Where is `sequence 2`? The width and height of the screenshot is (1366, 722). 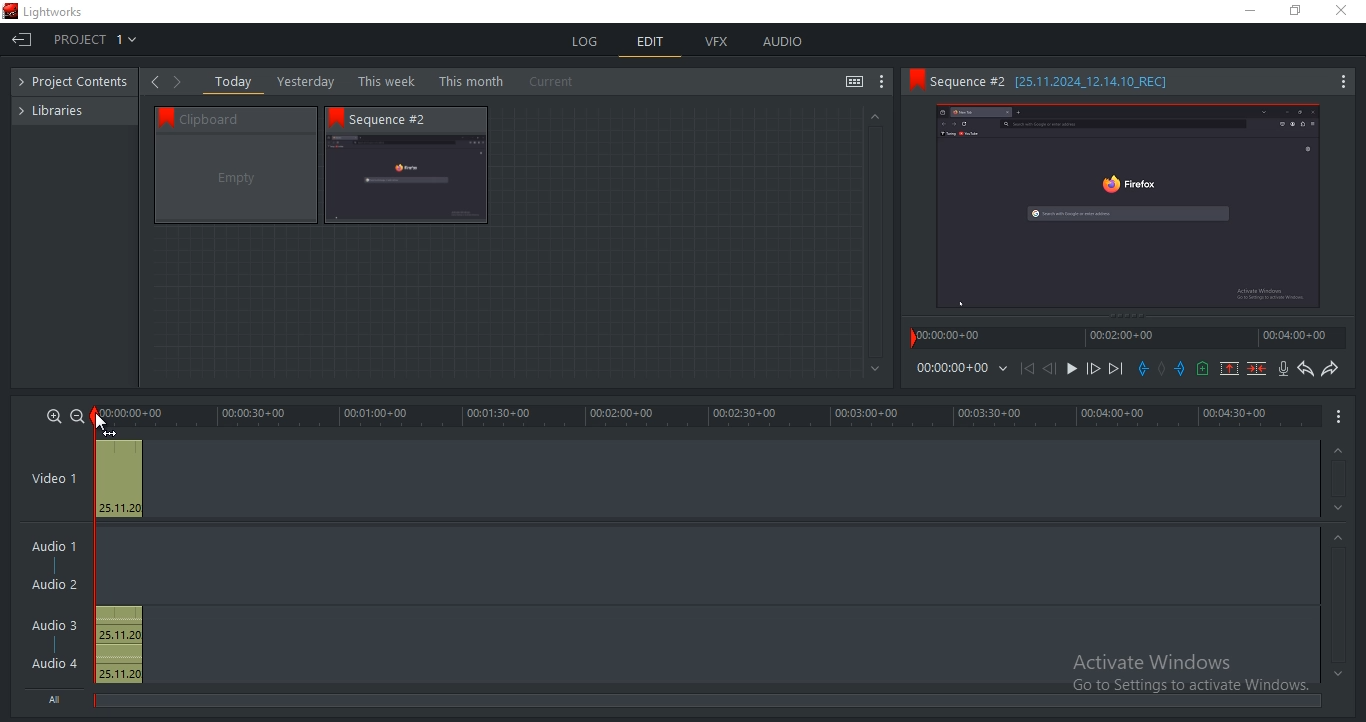
sequence 2 is located at coordinates (406, 180).